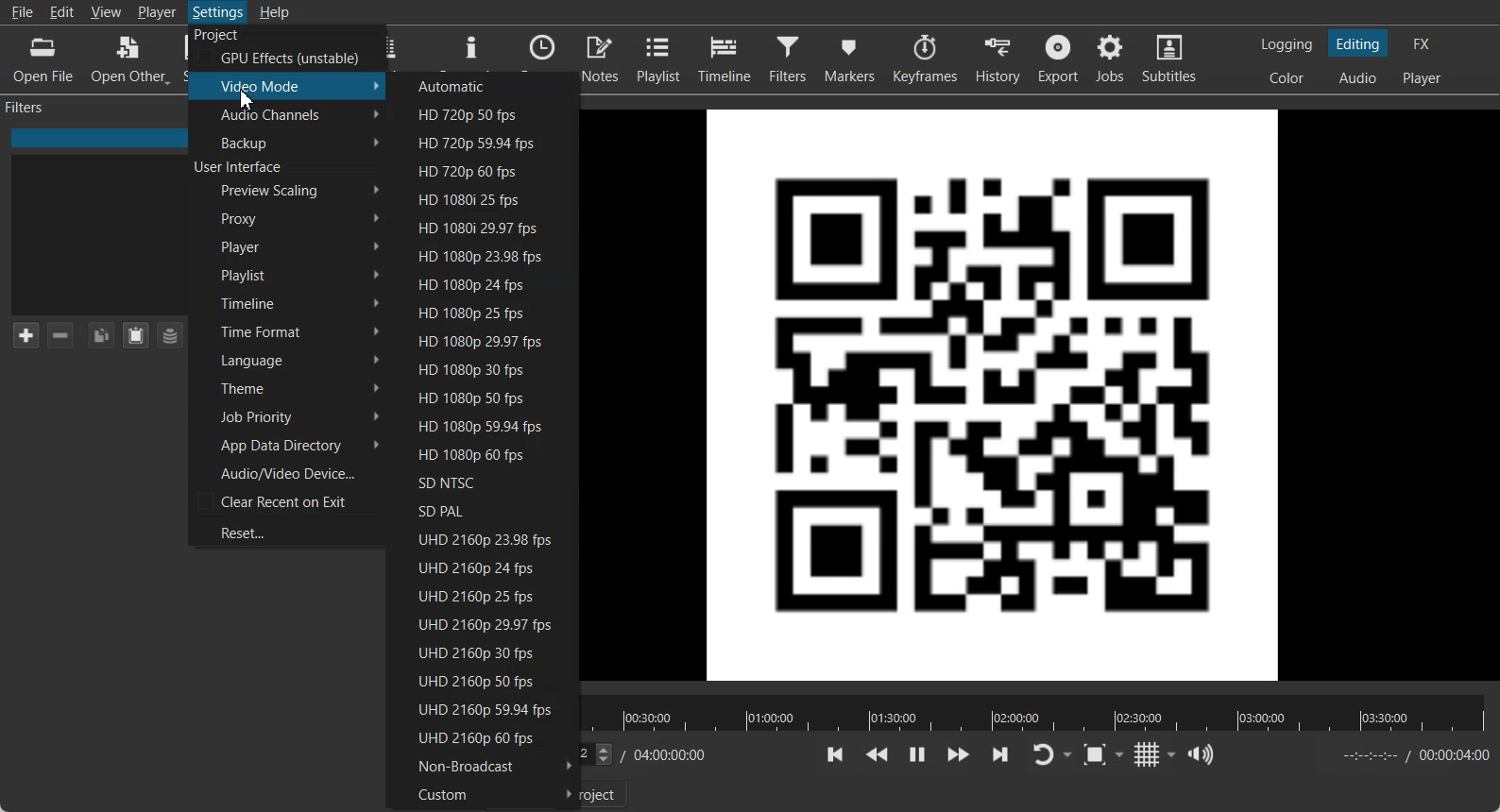  What do you see at coordinates (1287, 44) in the screenshot?
I see `Switch to the Logging layout` at bounding box center [1287, 44].